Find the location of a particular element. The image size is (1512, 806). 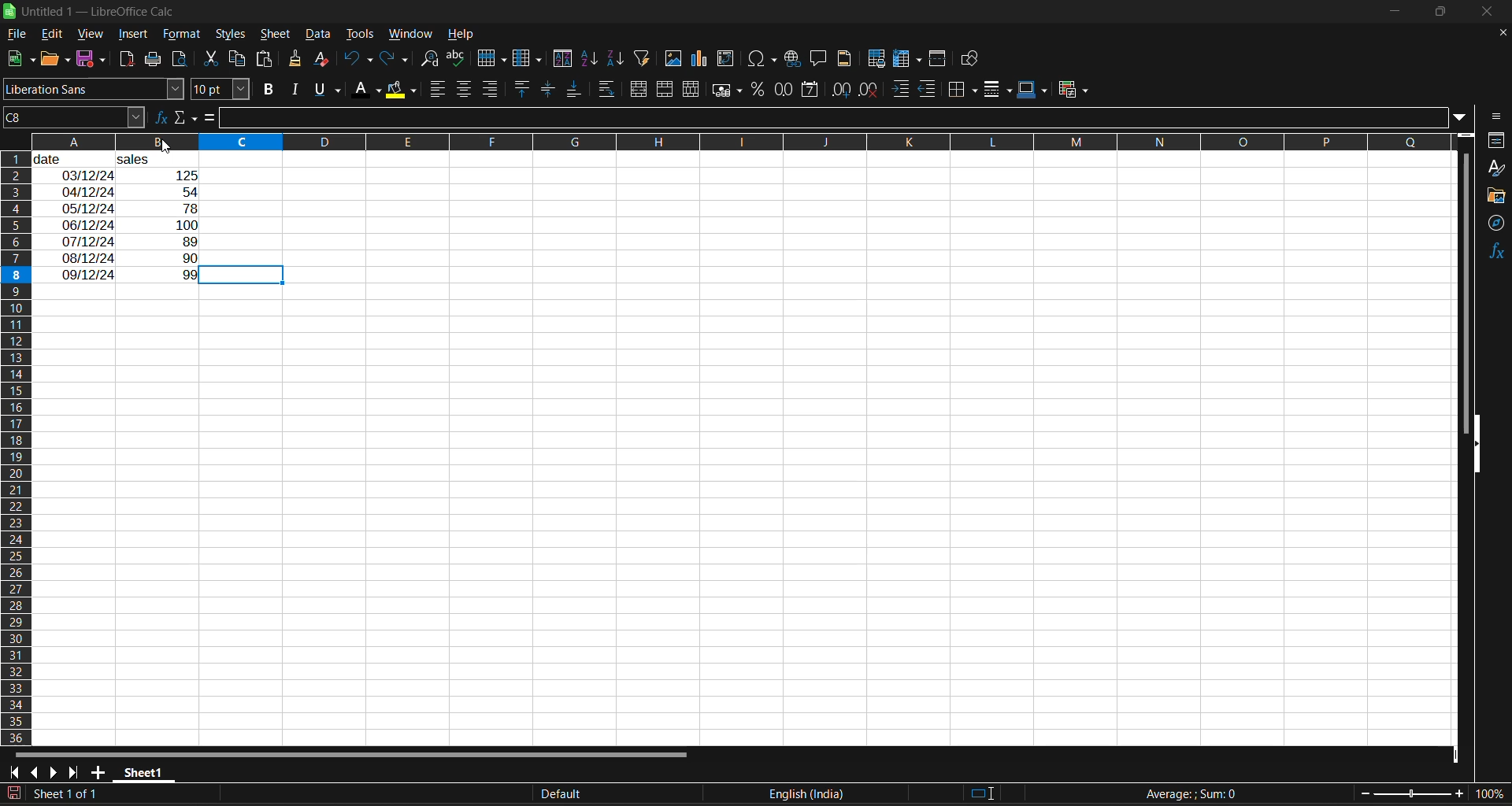

align center is located at coordinates (464, 91).